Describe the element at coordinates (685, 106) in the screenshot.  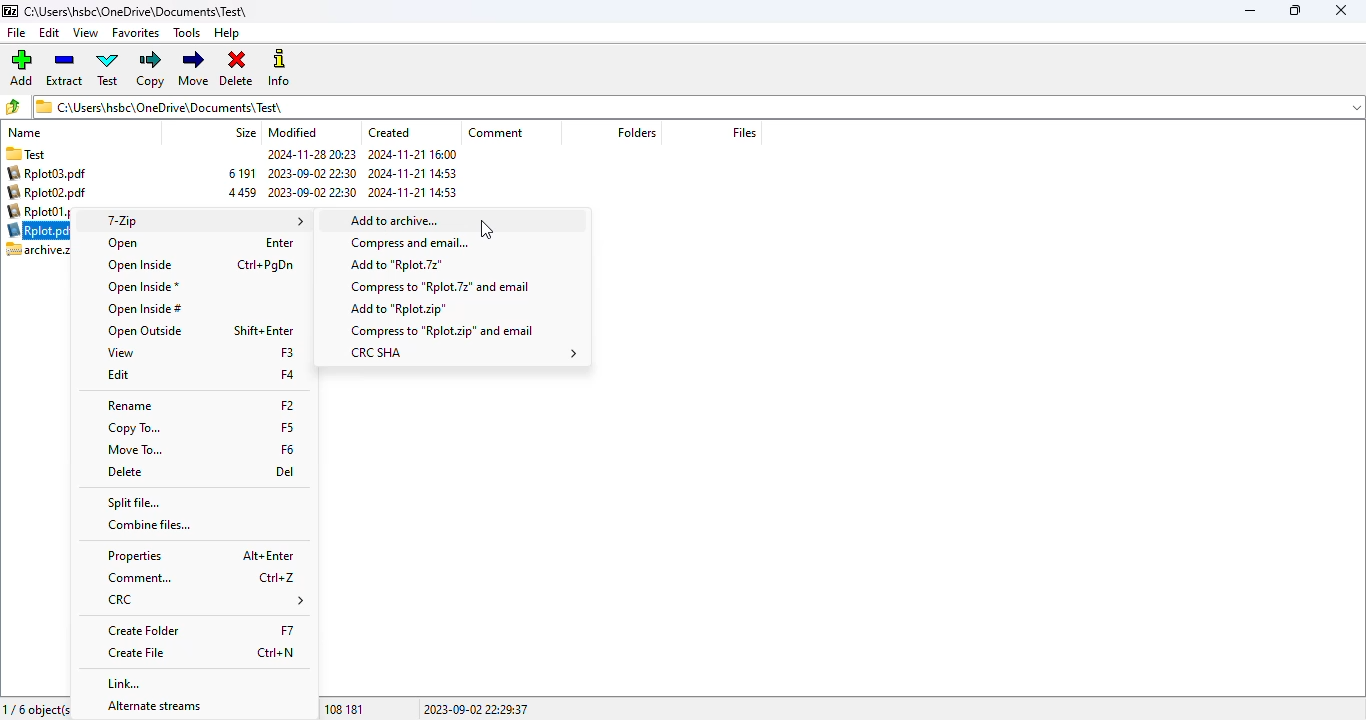
I see `current folder` at that location.